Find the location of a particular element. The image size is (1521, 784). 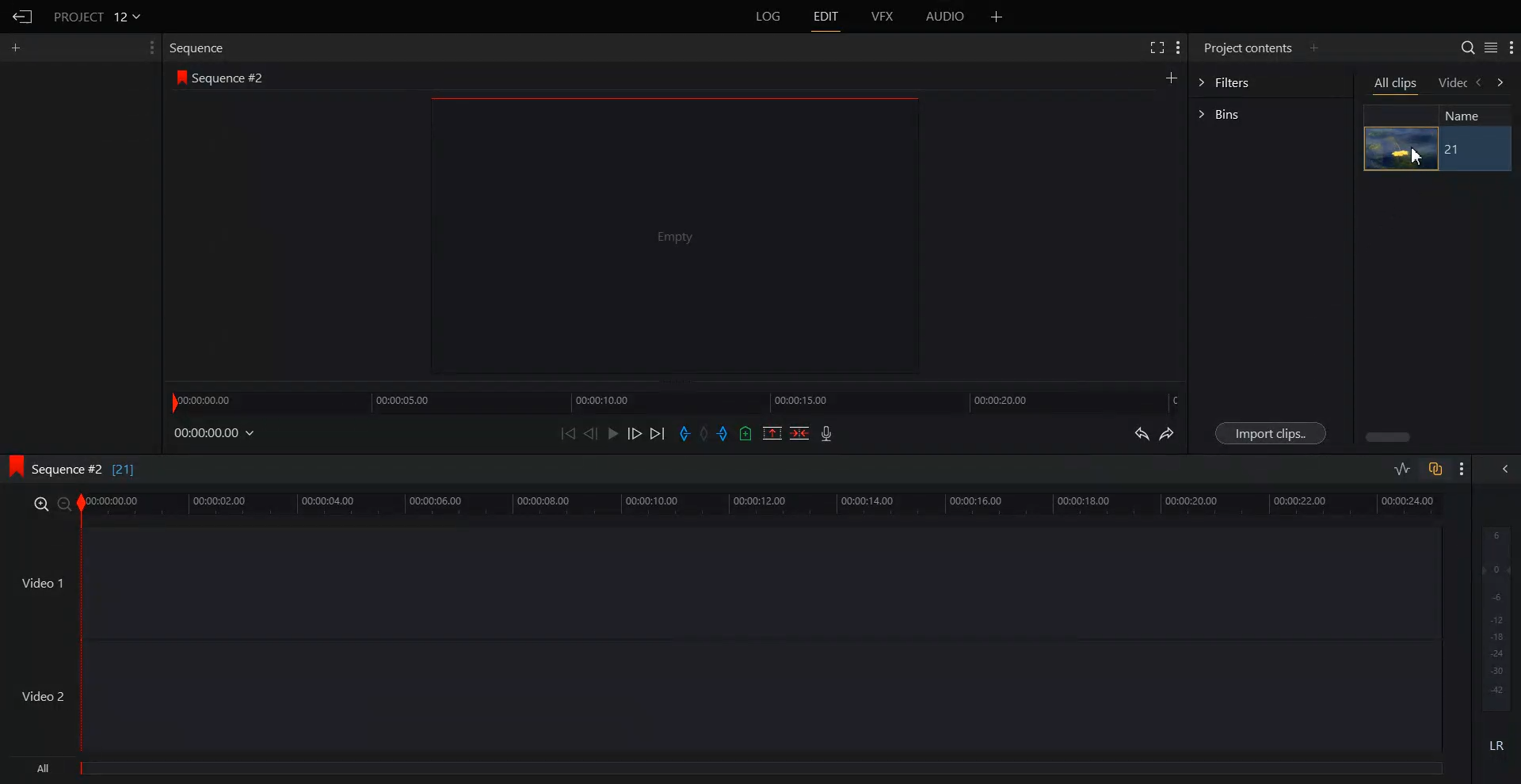

Nudge One frame Forwards is located at coordinates (634, 433).